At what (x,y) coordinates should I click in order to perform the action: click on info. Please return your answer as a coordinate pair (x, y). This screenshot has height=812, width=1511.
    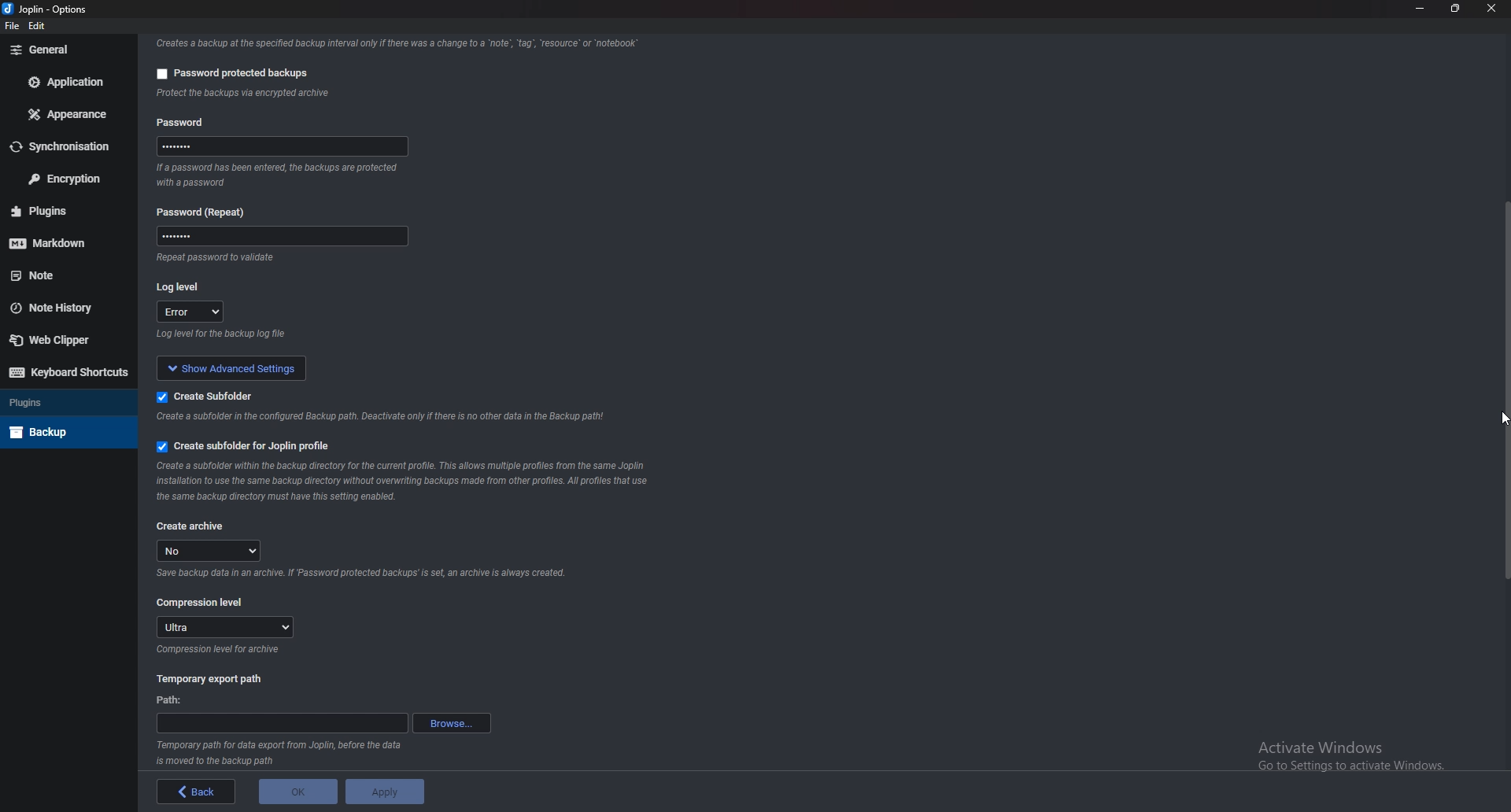
    Looking at the image, I should click on (249, 259).